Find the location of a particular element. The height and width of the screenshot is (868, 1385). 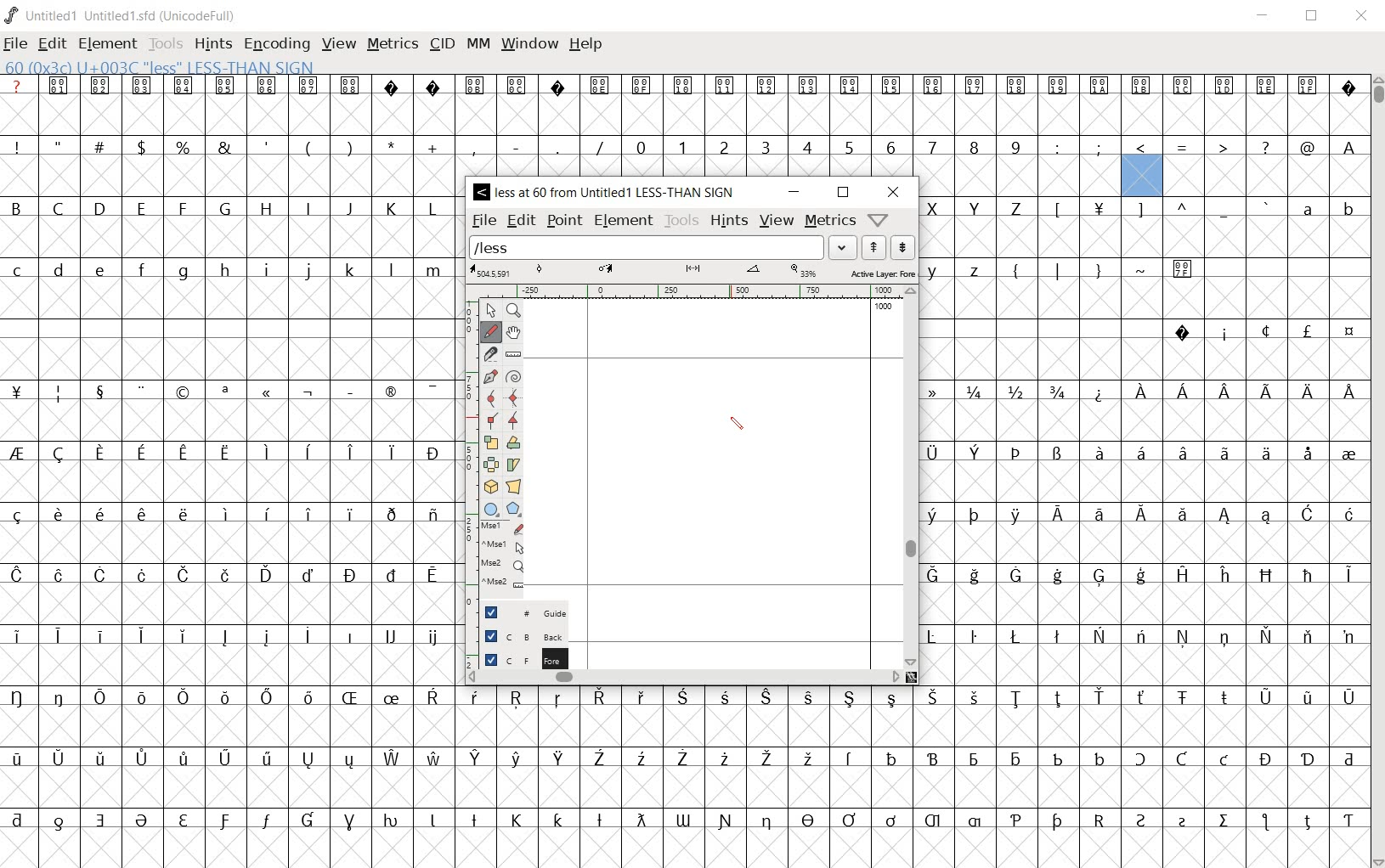

mm is located at coordinates (477, 45).